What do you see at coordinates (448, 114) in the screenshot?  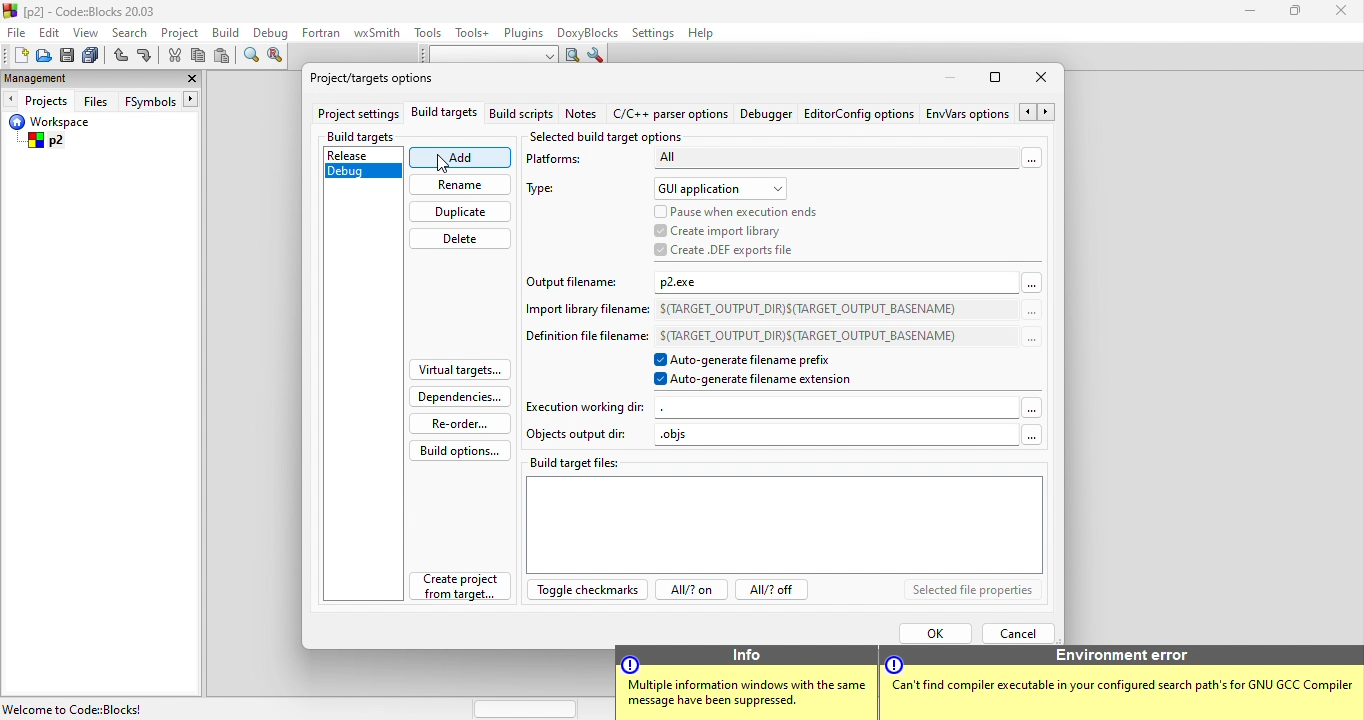 I see `build targets` at bounding box center [448, 114].